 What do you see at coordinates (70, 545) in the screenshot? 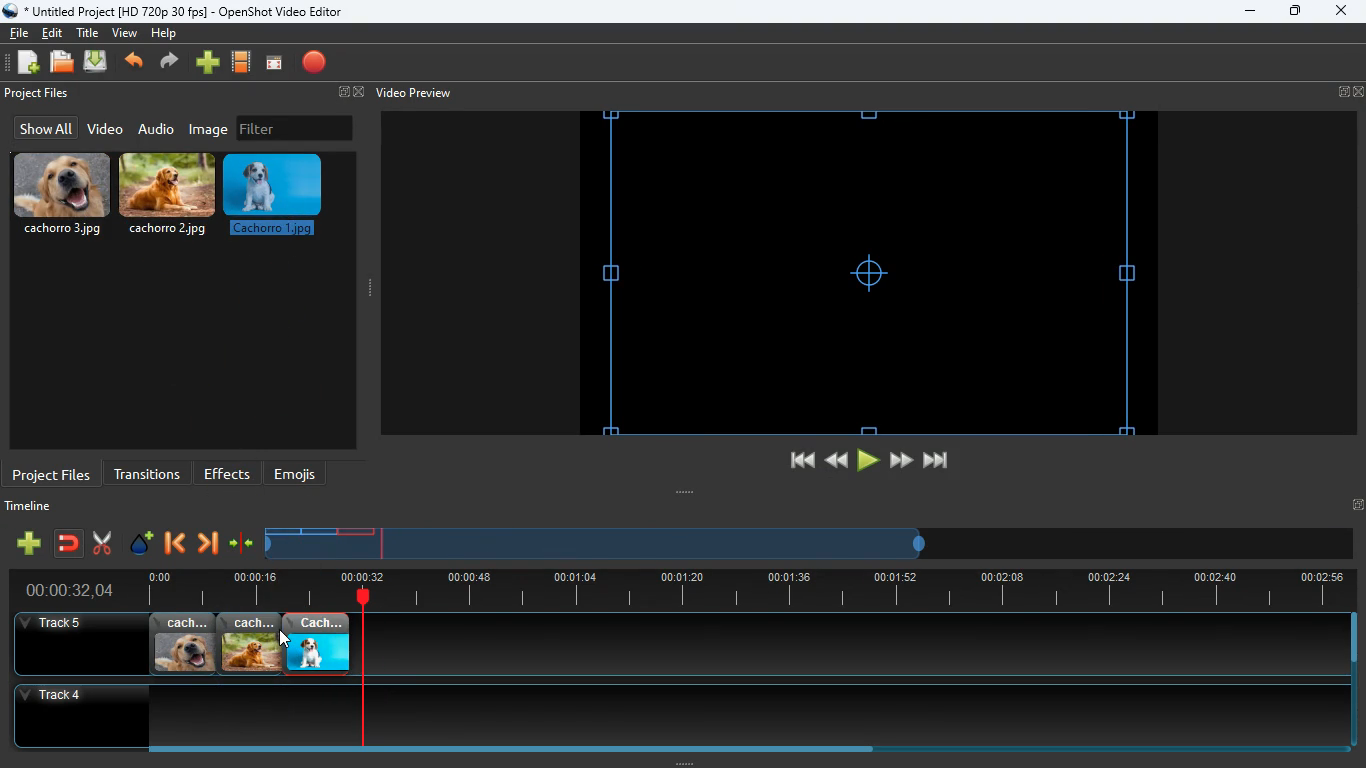
I see `join` at bounding box center [70, 545].